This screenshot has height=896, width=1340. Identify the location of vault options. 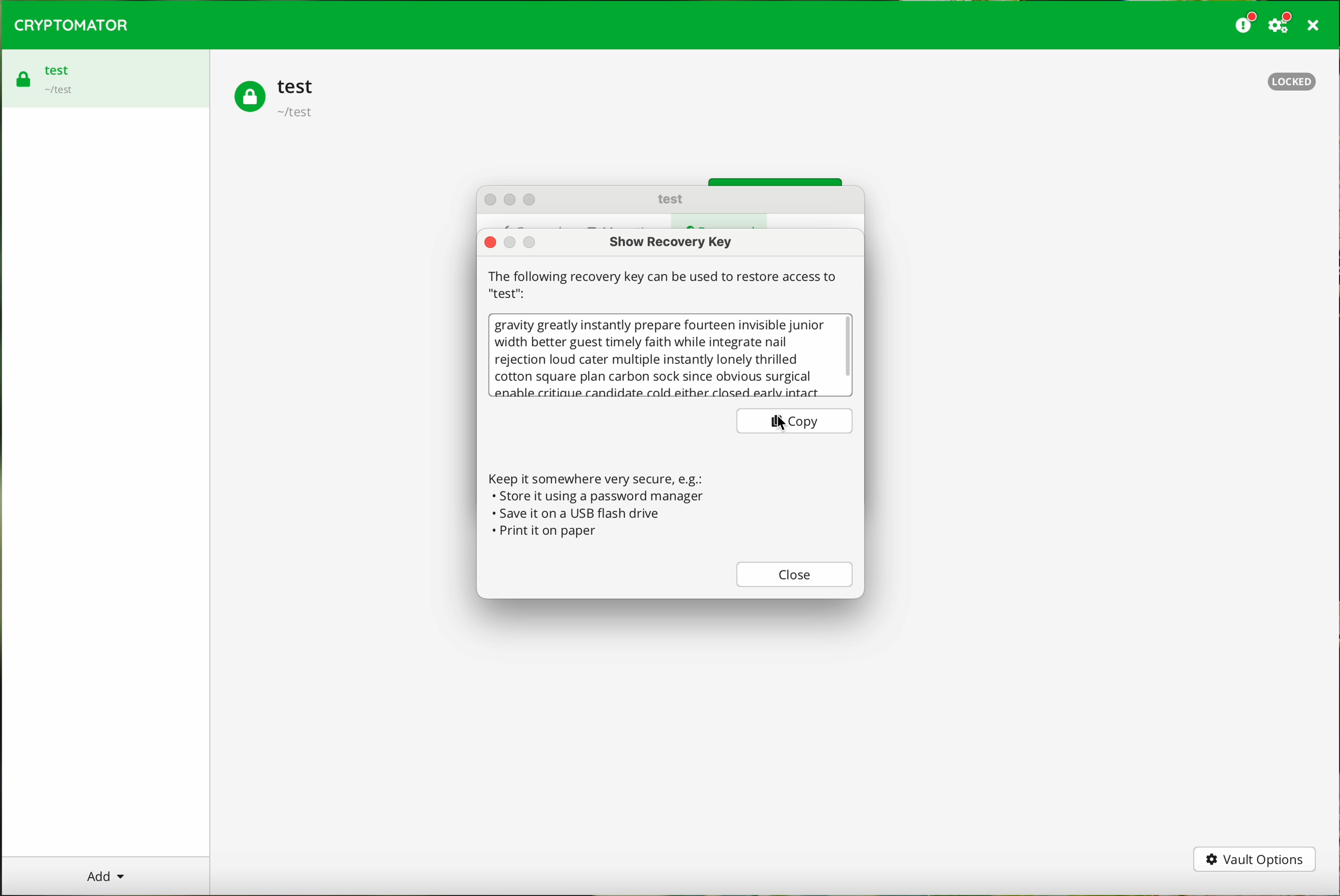
(1255, 861).